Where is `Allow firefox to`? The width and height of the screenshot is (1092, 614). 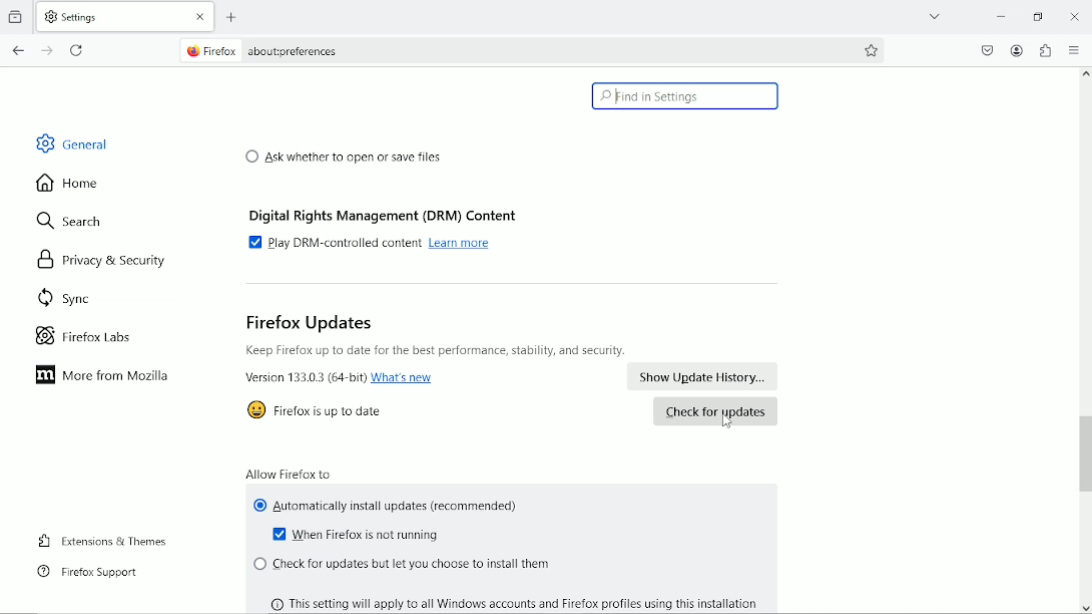 Allow firefox to is located at coordinates (289, 471).